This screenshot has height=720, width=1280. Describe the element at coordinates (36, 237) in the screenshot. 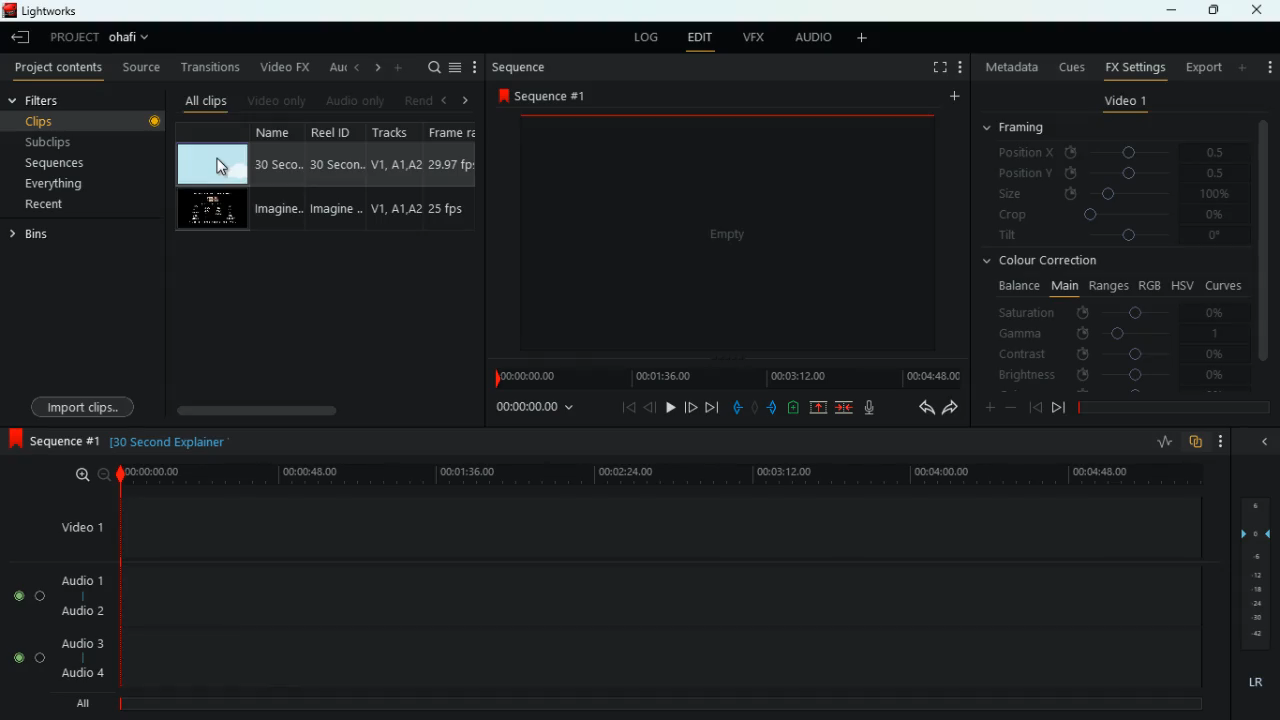

I see `bins` at that location.